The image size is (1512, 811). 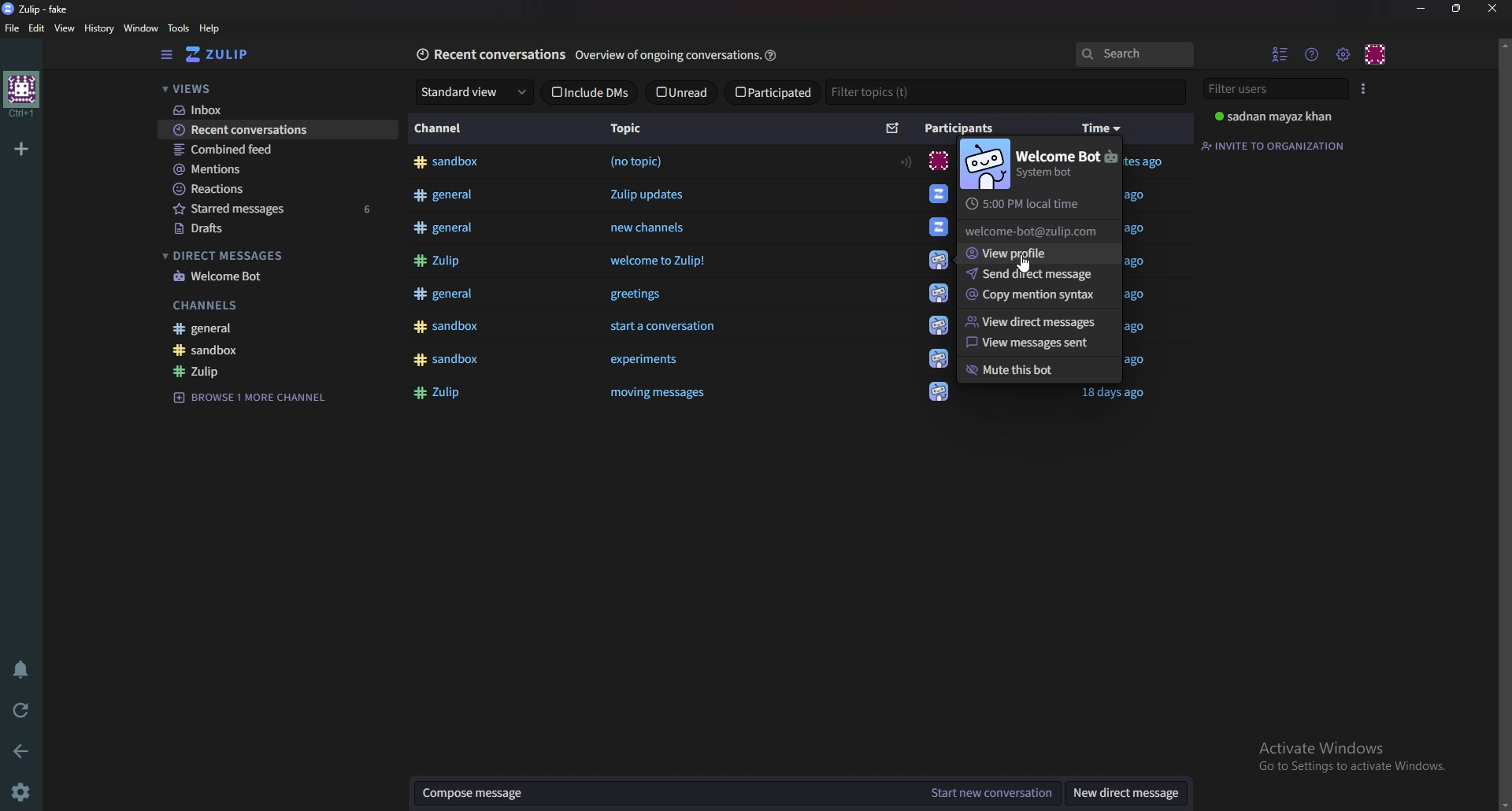 I want to click on topic, so click(x=633, y=129).